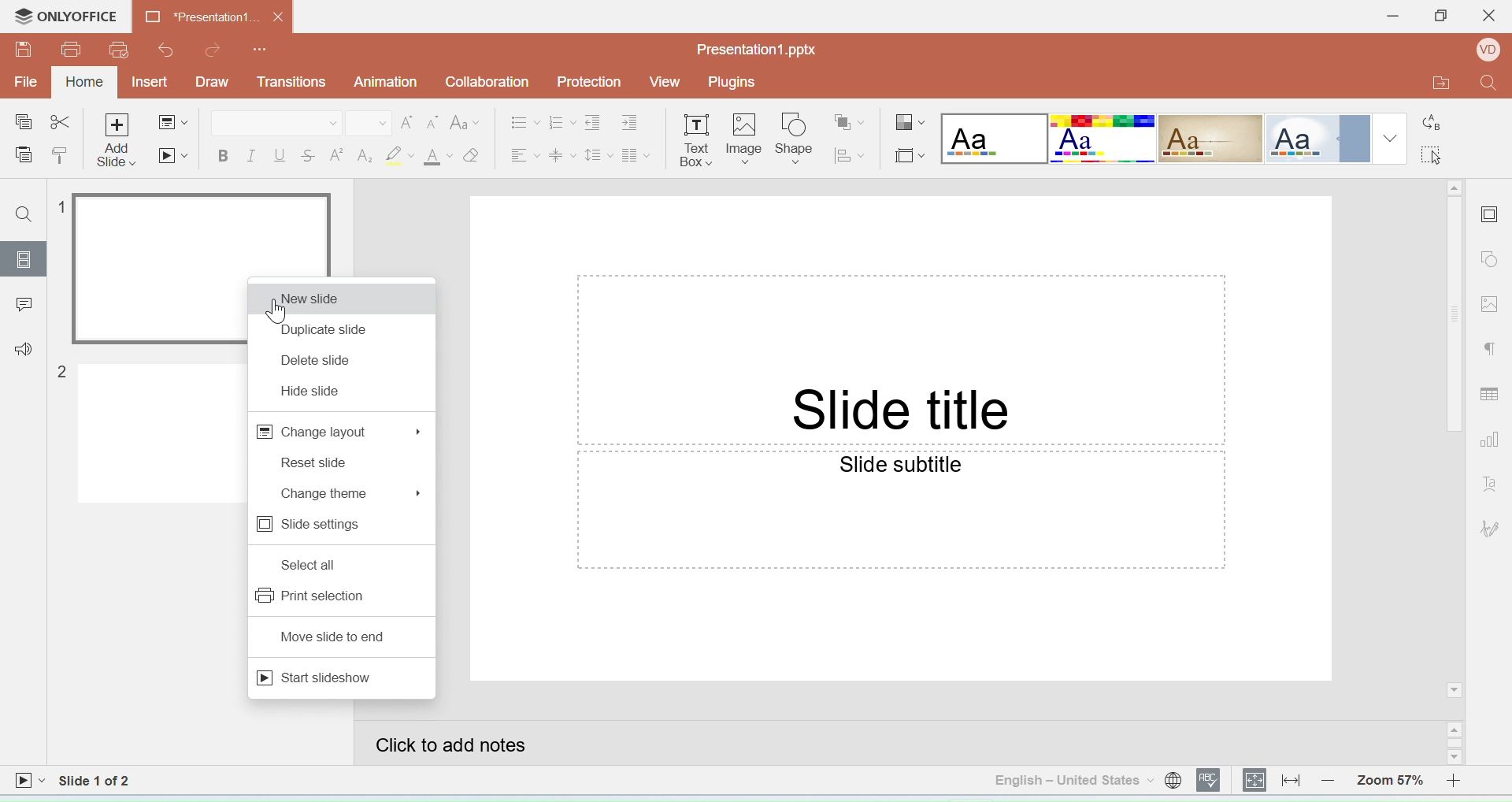 This screenshot has height=802, width=1512. Describe the element at coordinates (851, 154) in the screenshot. I see `Align shape` at that location.